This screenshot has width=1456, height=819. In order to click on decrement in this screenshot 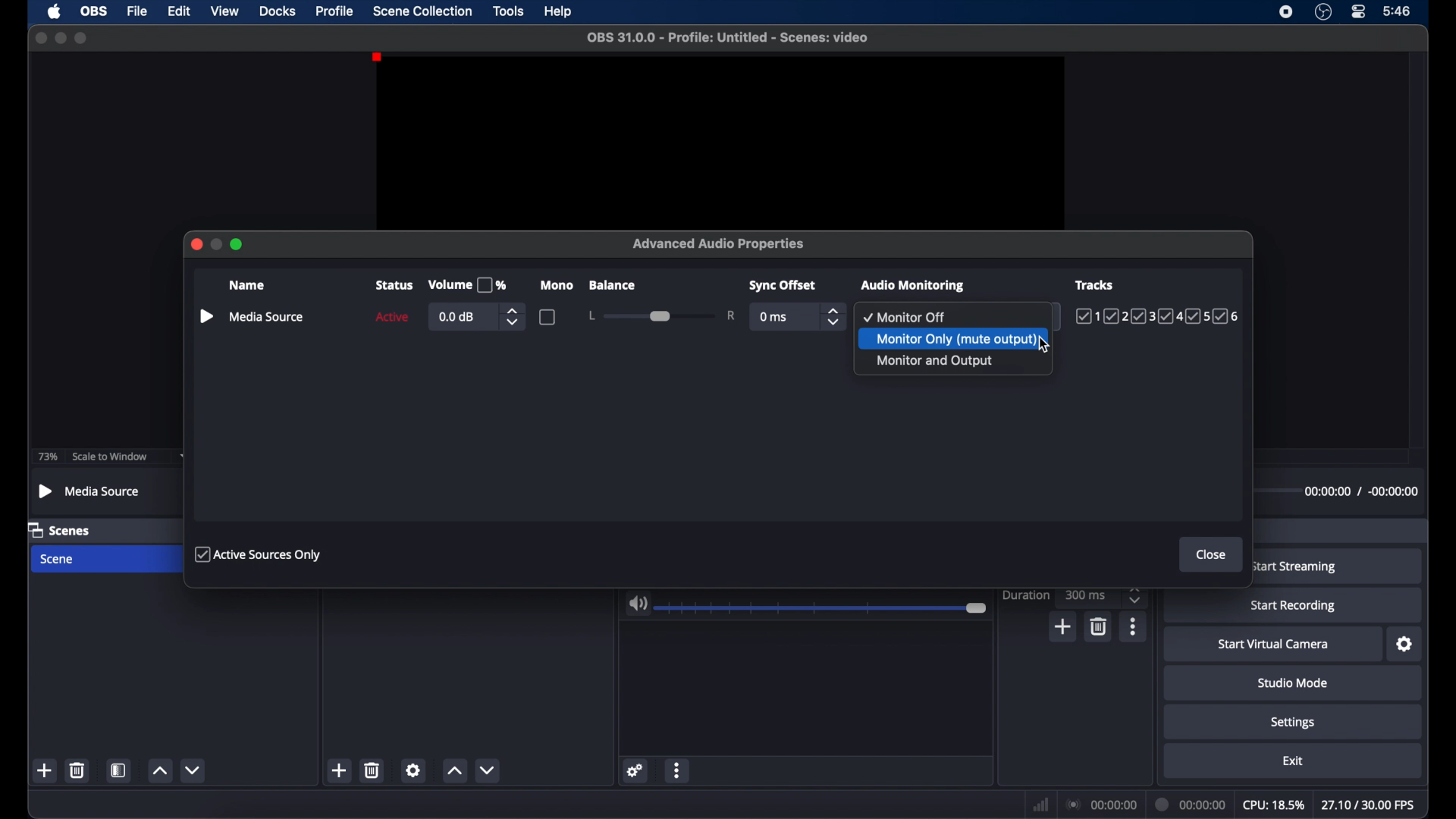, I will do `click(487, 769)`.